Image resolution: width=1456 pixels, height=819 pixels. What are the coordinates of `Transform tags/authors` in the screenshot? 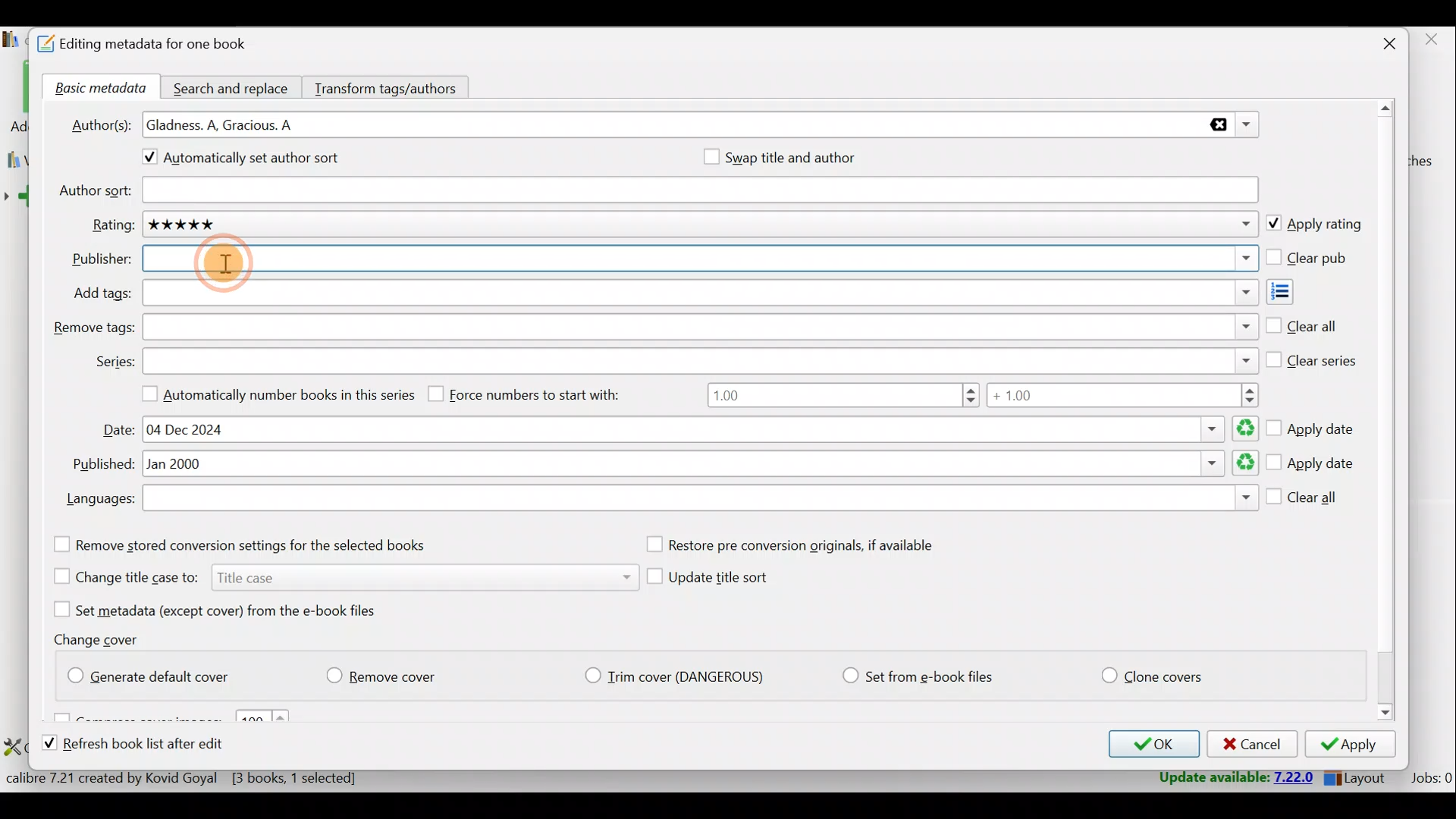 It's located at (392, 86).